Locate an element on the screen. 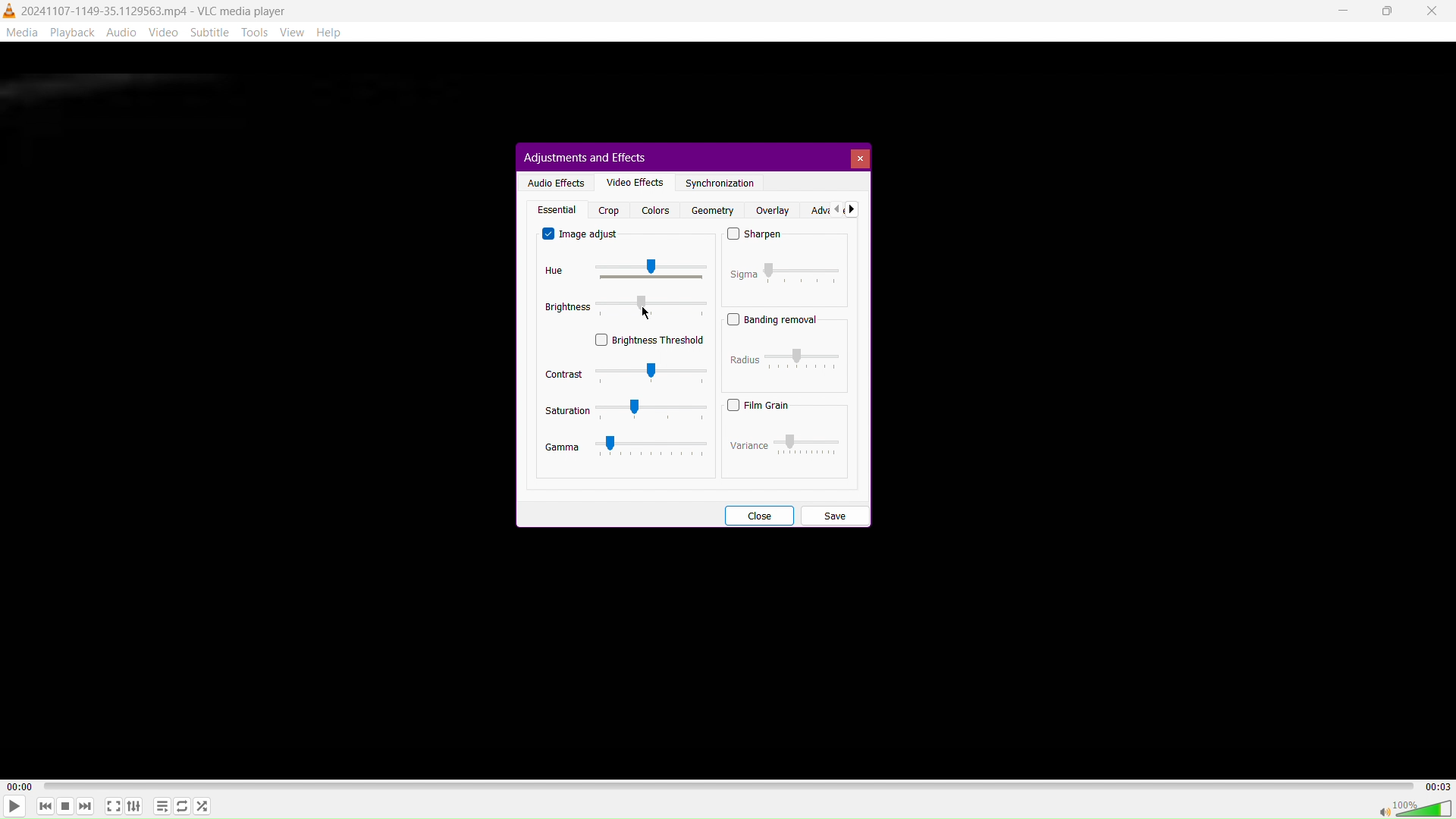 This screenshot has width=1456, height=819. TImeline is located at coordinates (730, 784).